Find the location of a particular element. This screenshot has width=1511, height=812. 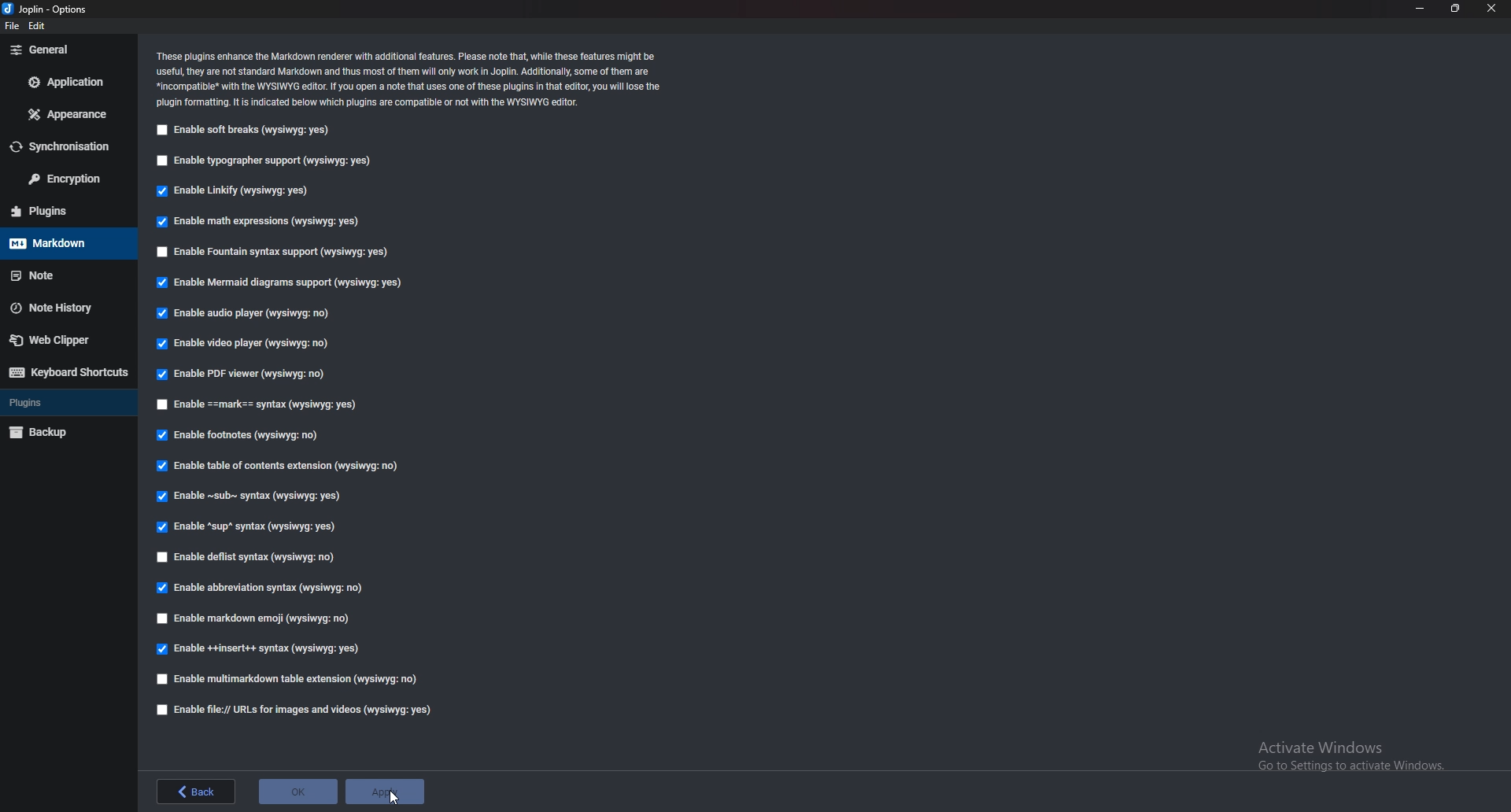

Plugins is located at coordinates (63, 402).